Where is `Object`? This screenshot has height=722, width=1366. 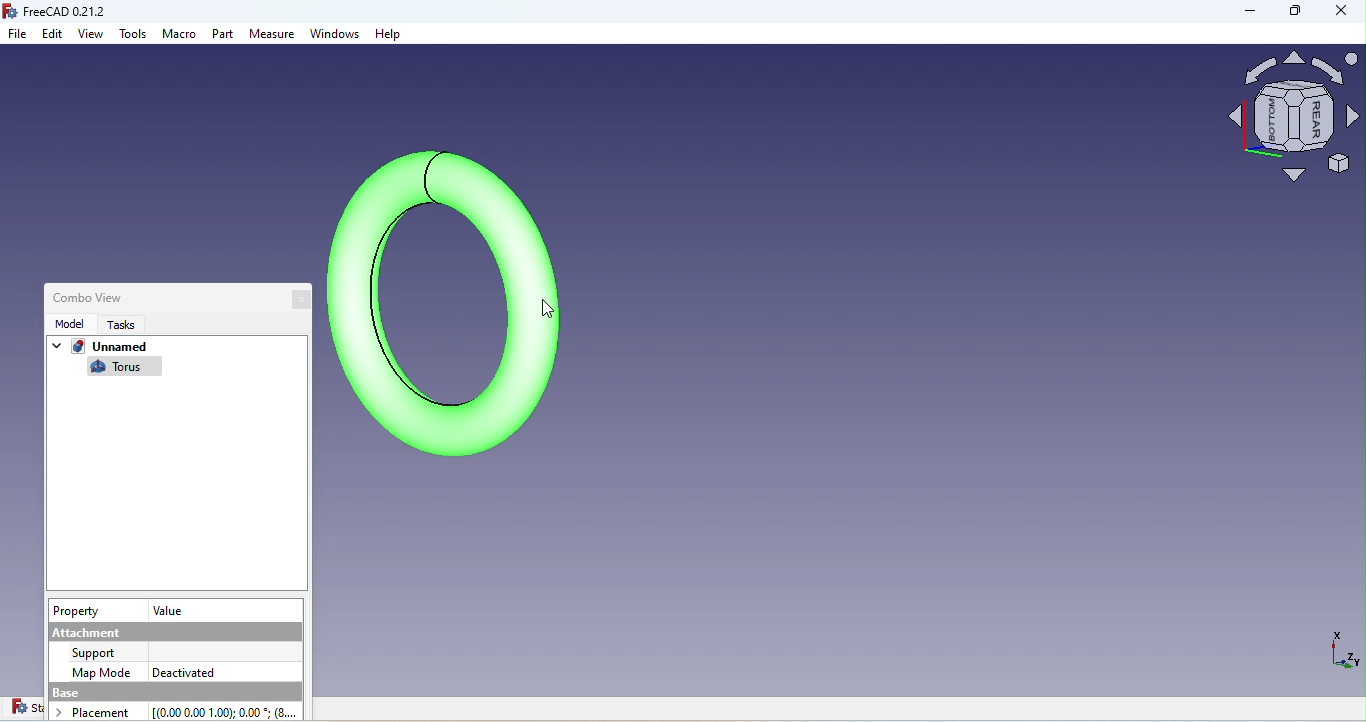 Object is located at coordinates (447, 298).